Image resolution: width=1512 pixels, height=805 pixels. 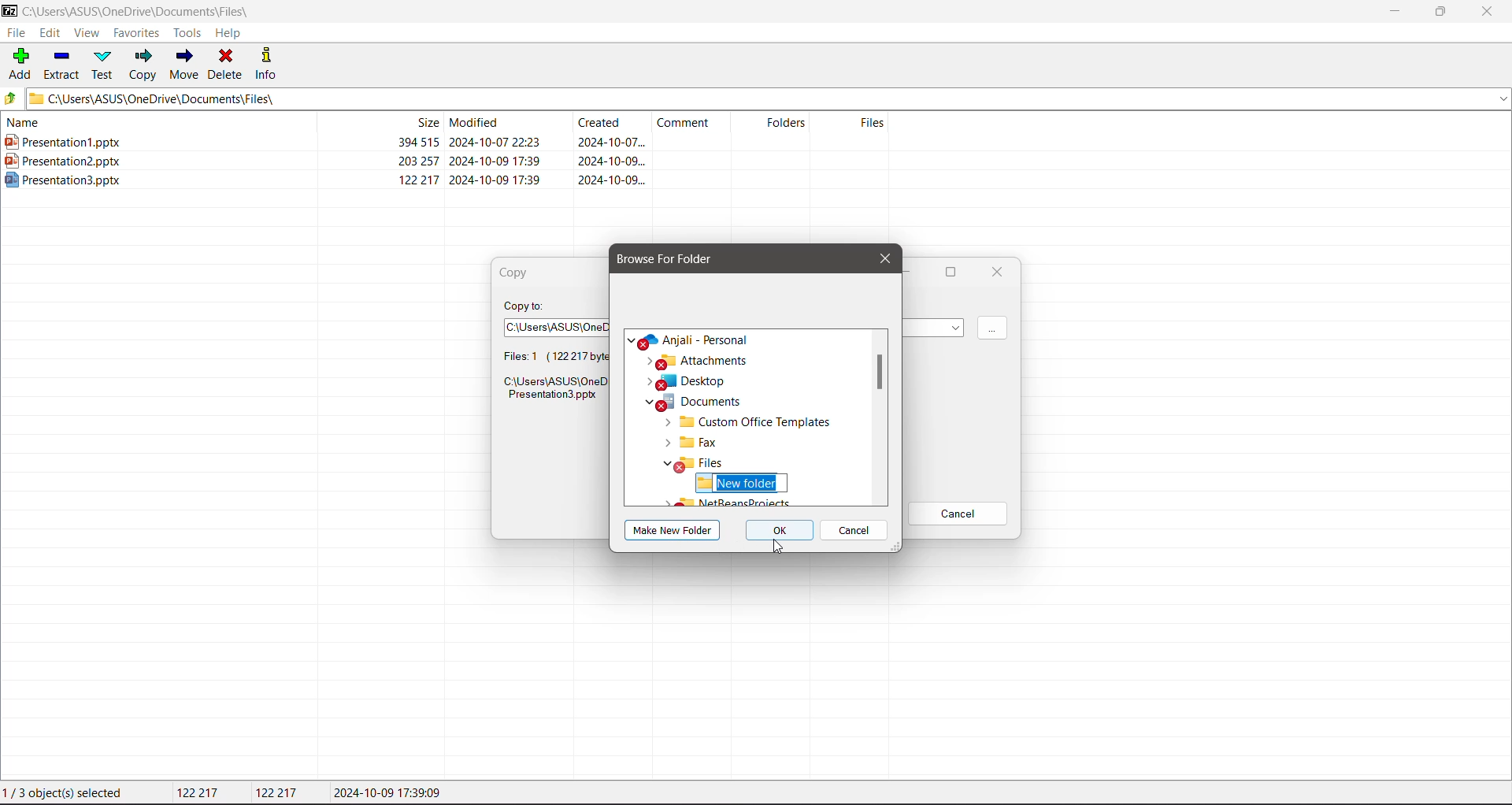 I want to click on Move Up one level, so click(x=13, y=98).